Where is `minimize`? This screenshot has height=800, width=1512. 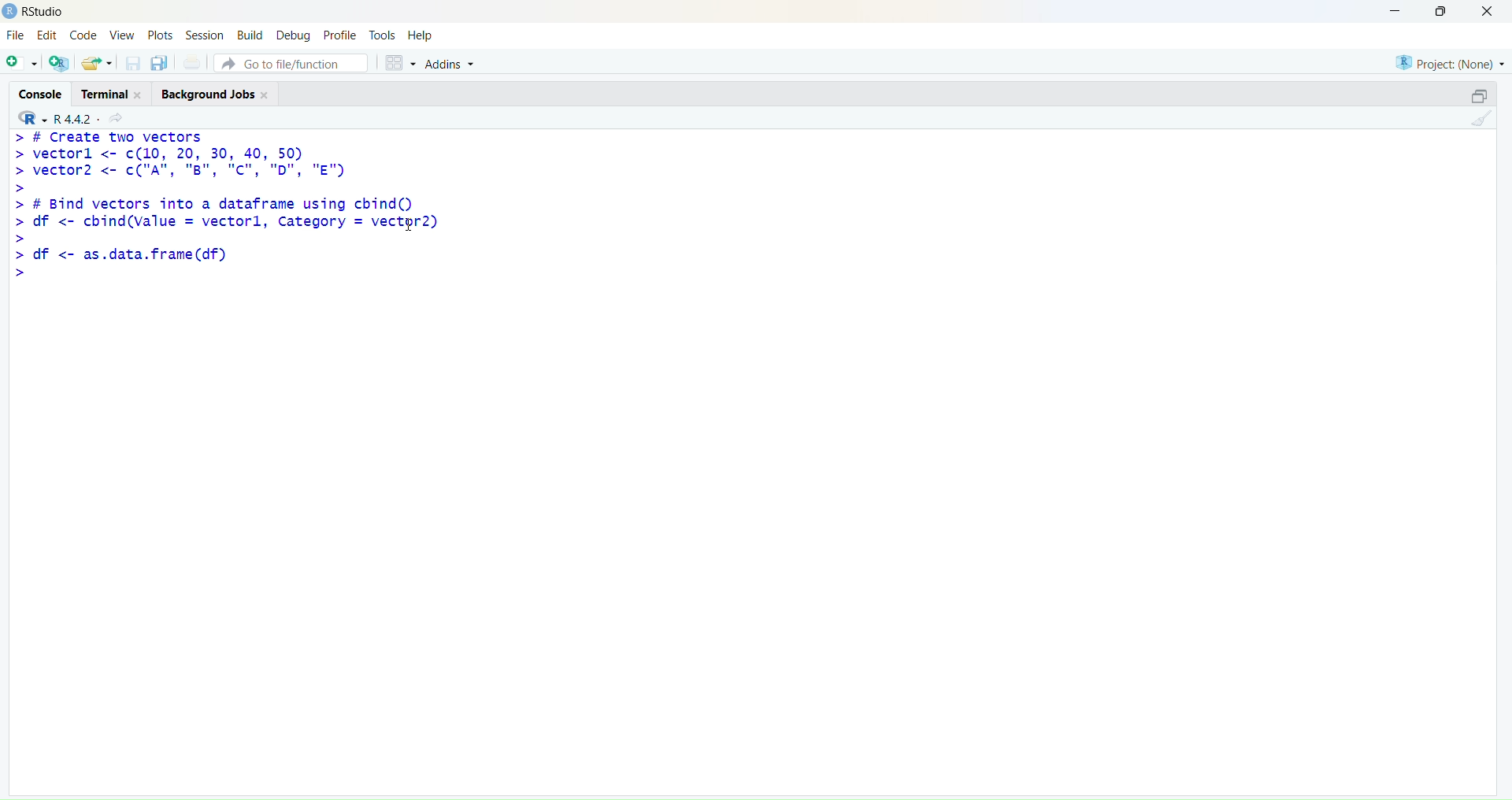 minimize is located at coordinates (1481, 97).